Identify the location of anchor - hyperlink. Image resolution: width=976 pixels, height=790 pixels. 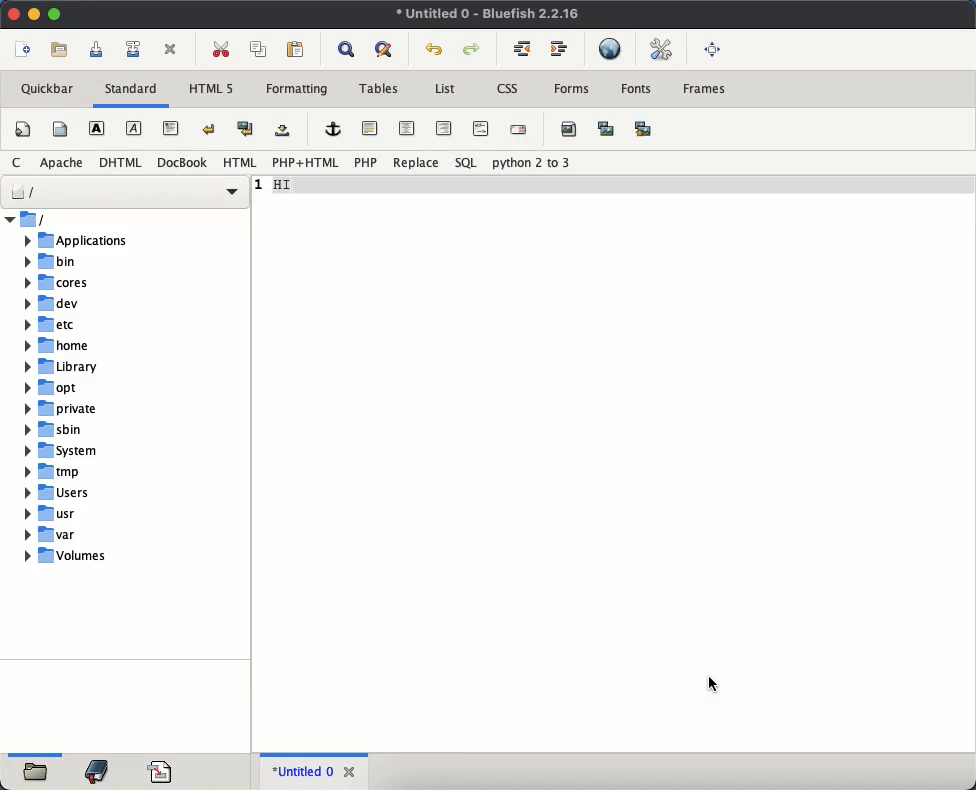
(332, 129).